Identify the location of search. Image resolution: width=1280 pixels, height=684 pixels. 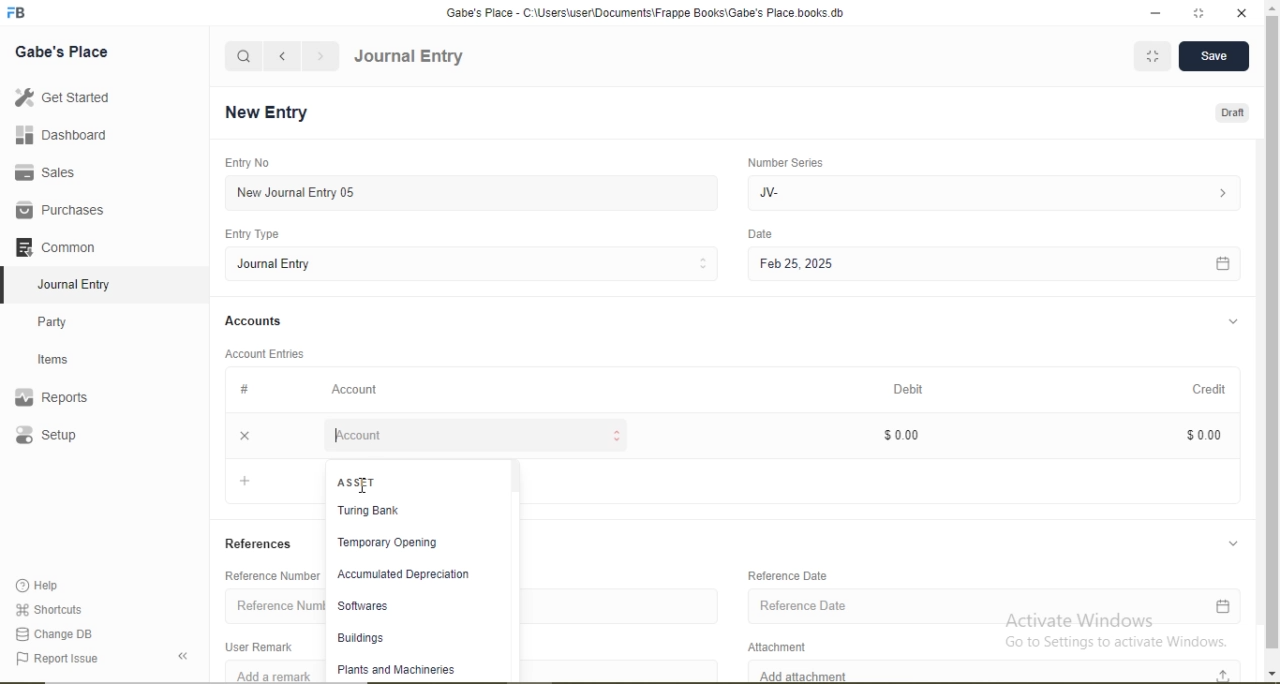
(244, 56).